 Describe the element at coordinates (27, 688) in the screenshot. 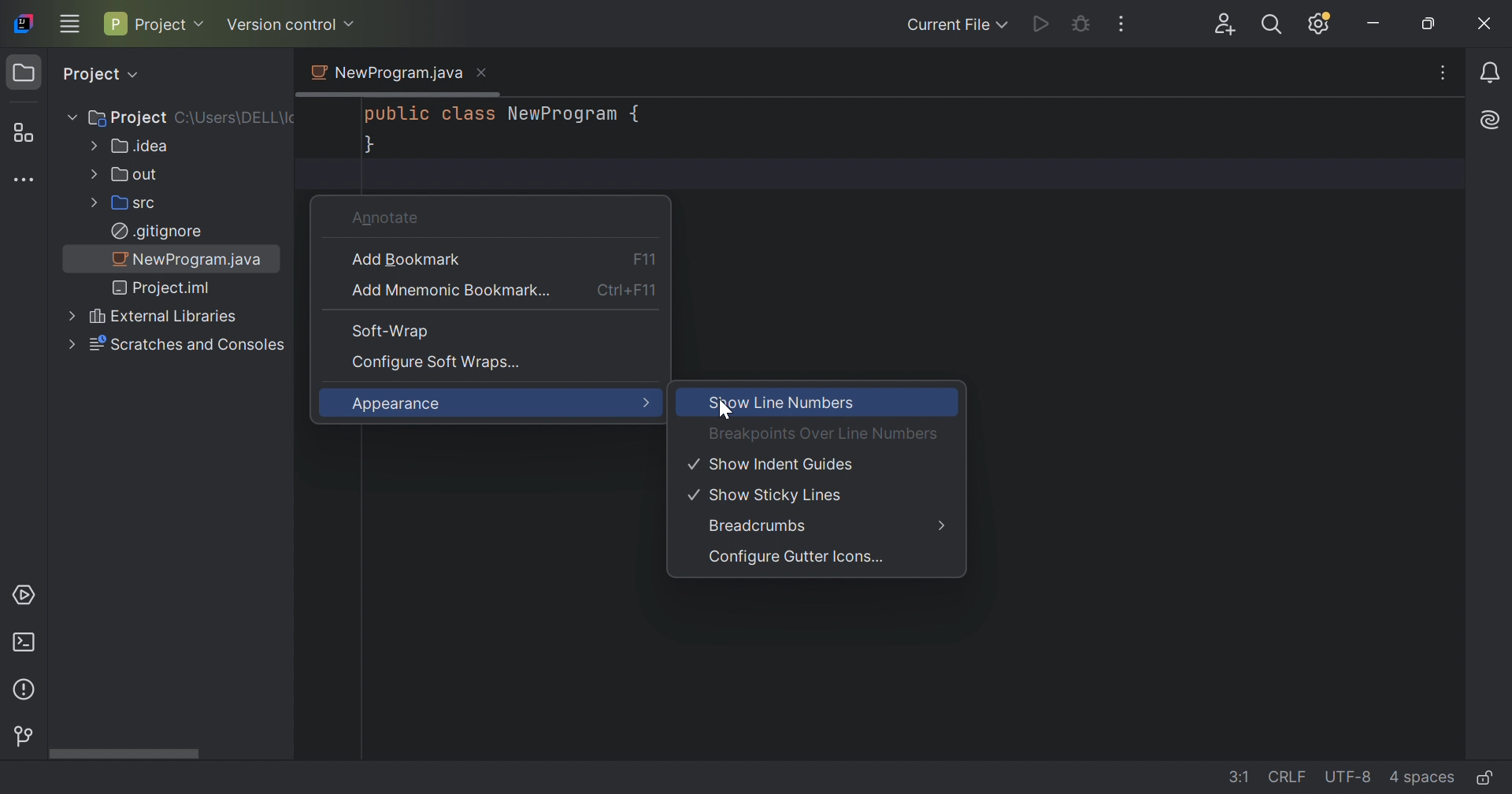

I see `Problems` at that location.